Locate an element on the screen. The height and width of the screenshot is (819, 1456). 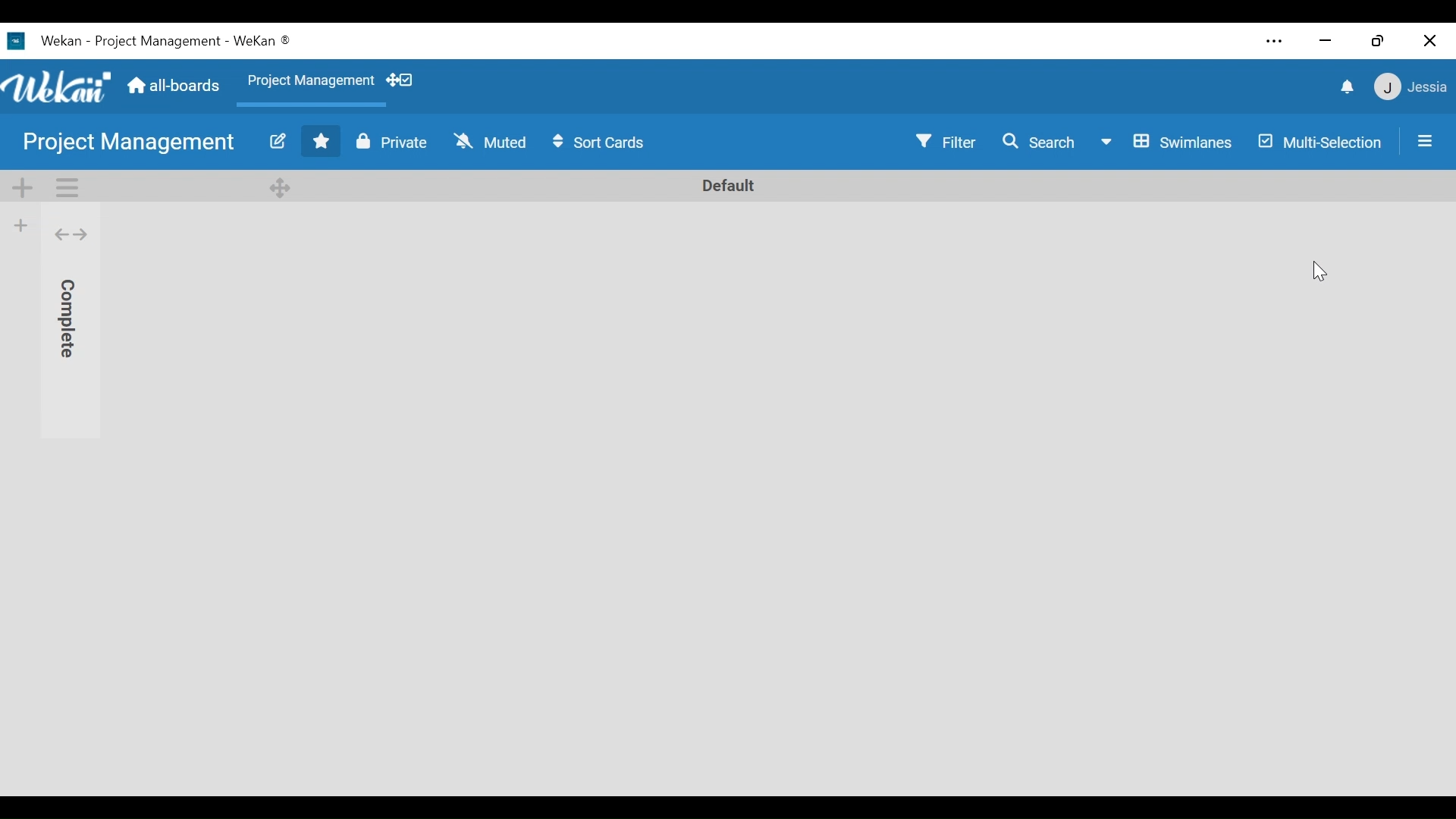
Board Title is located at coordinates (130, 142).